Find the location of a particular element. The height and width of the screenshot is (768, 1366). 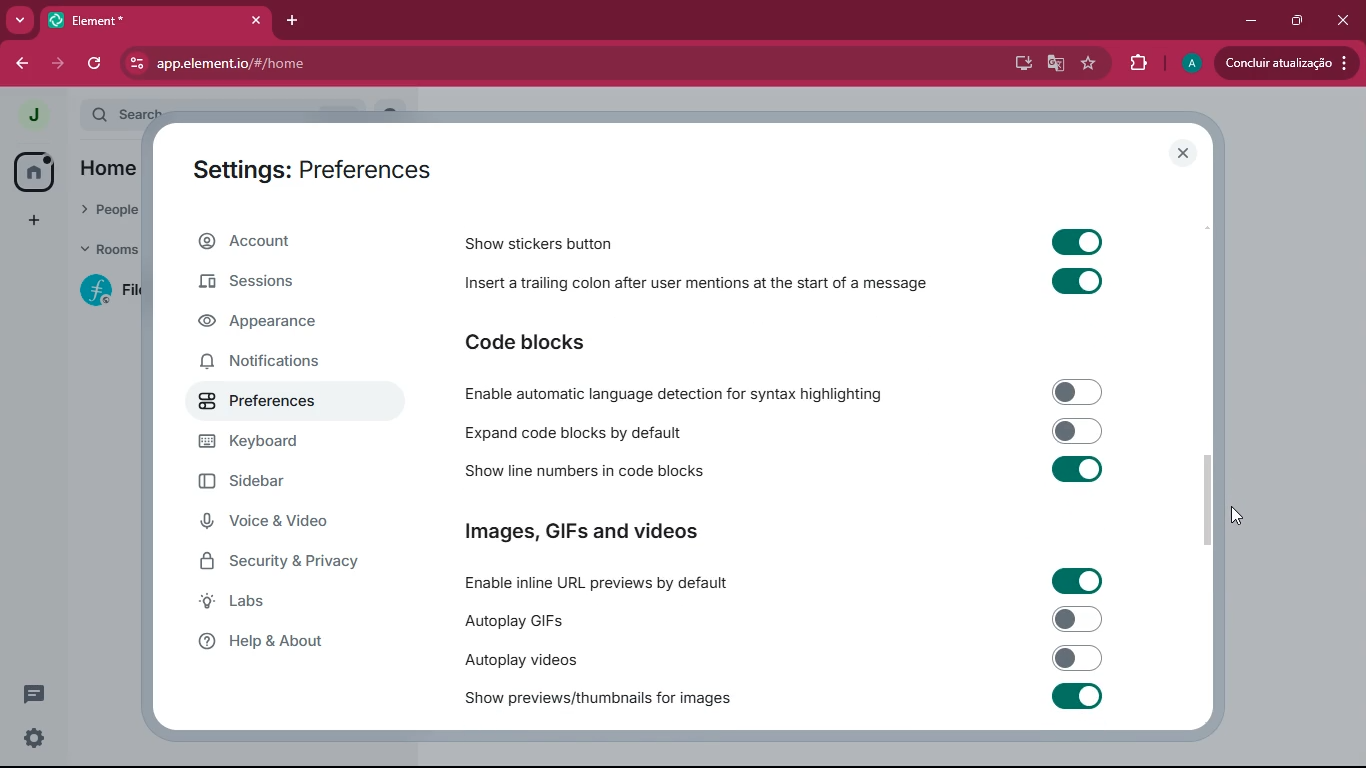

search bar is located at coordinates (123, 113).